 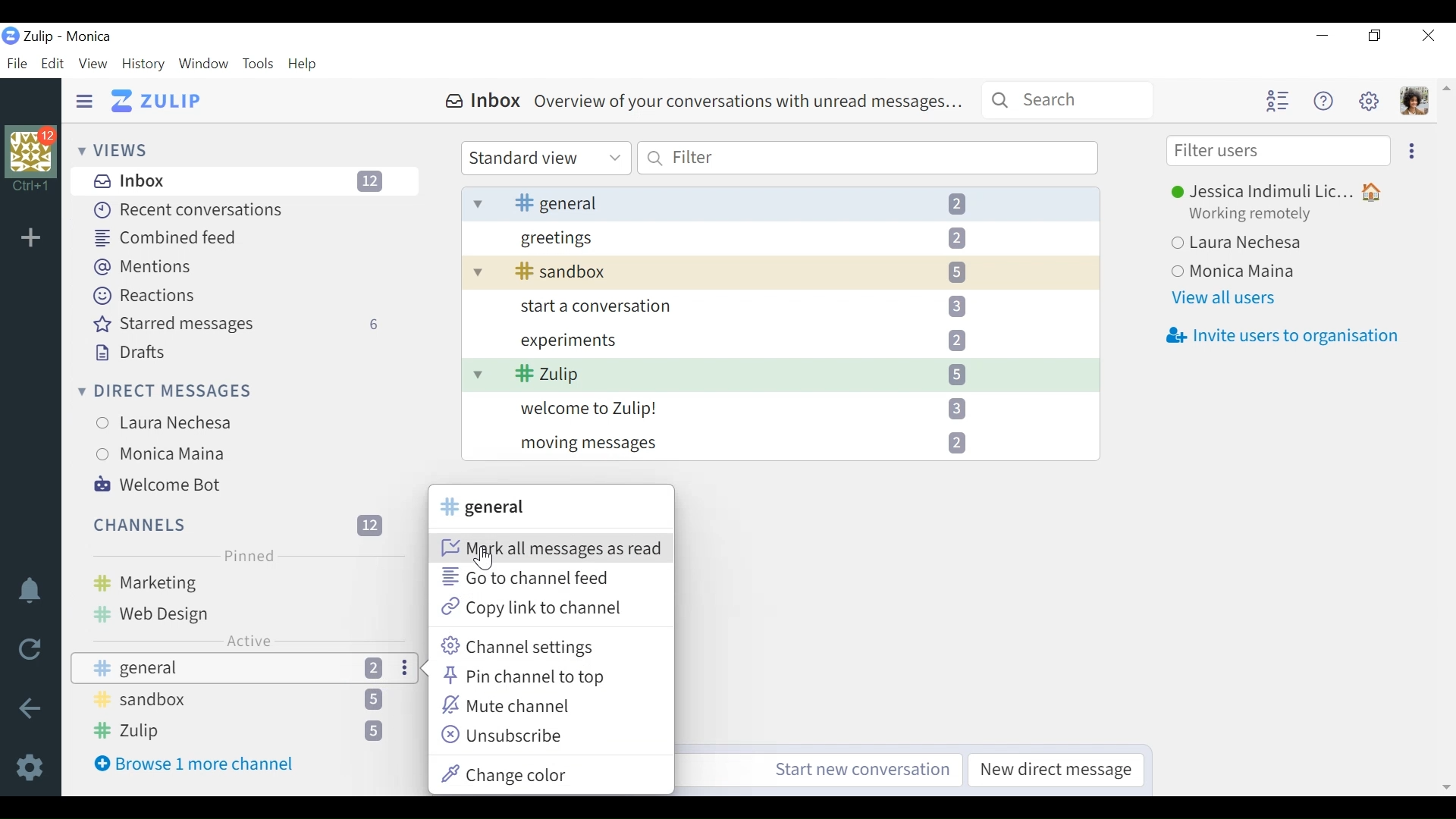 I want to click on Channel settings, so click(x=519, y=647).